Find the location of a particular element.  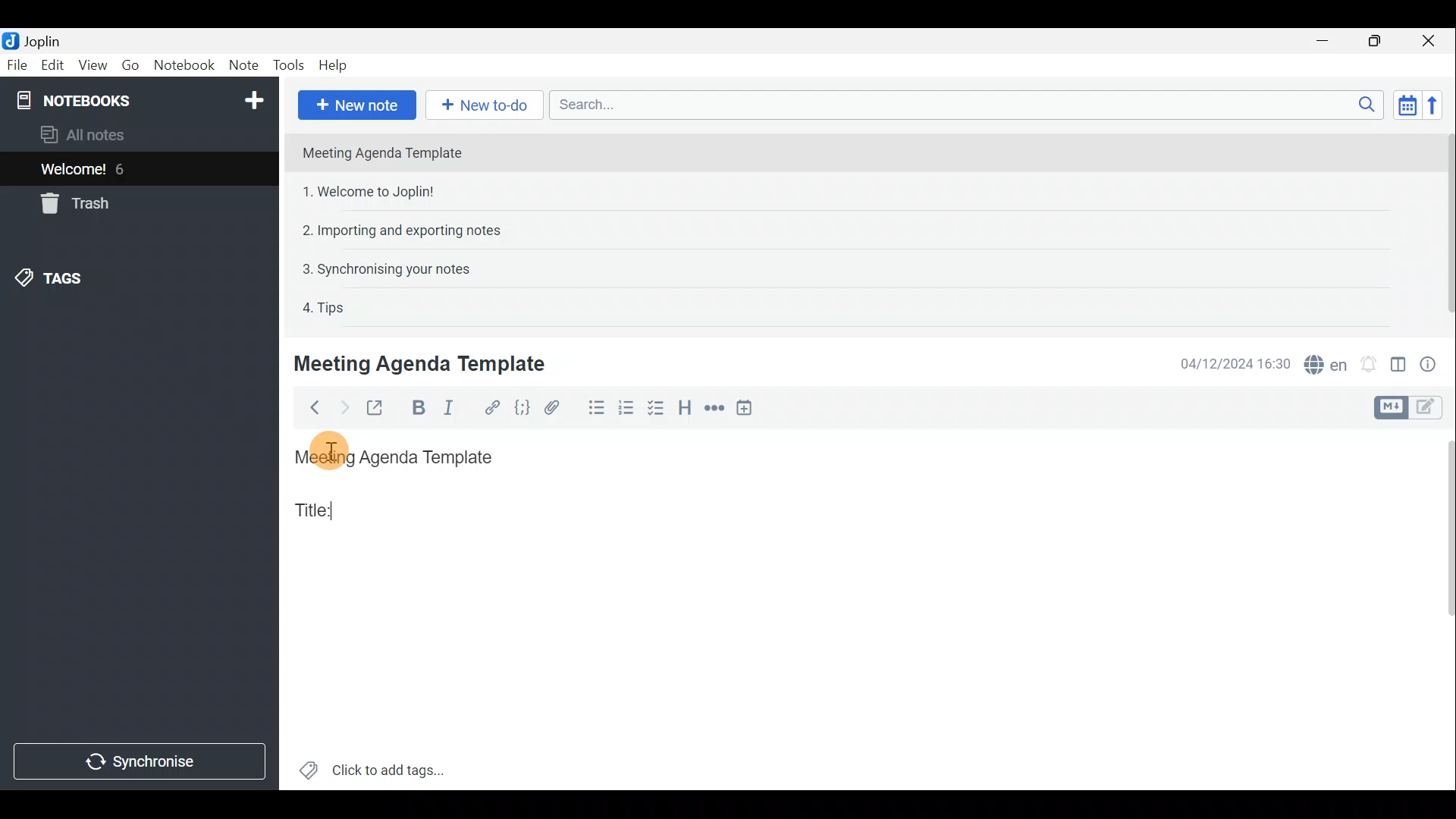

Horizontal rule is located at coordinates (715, 410).